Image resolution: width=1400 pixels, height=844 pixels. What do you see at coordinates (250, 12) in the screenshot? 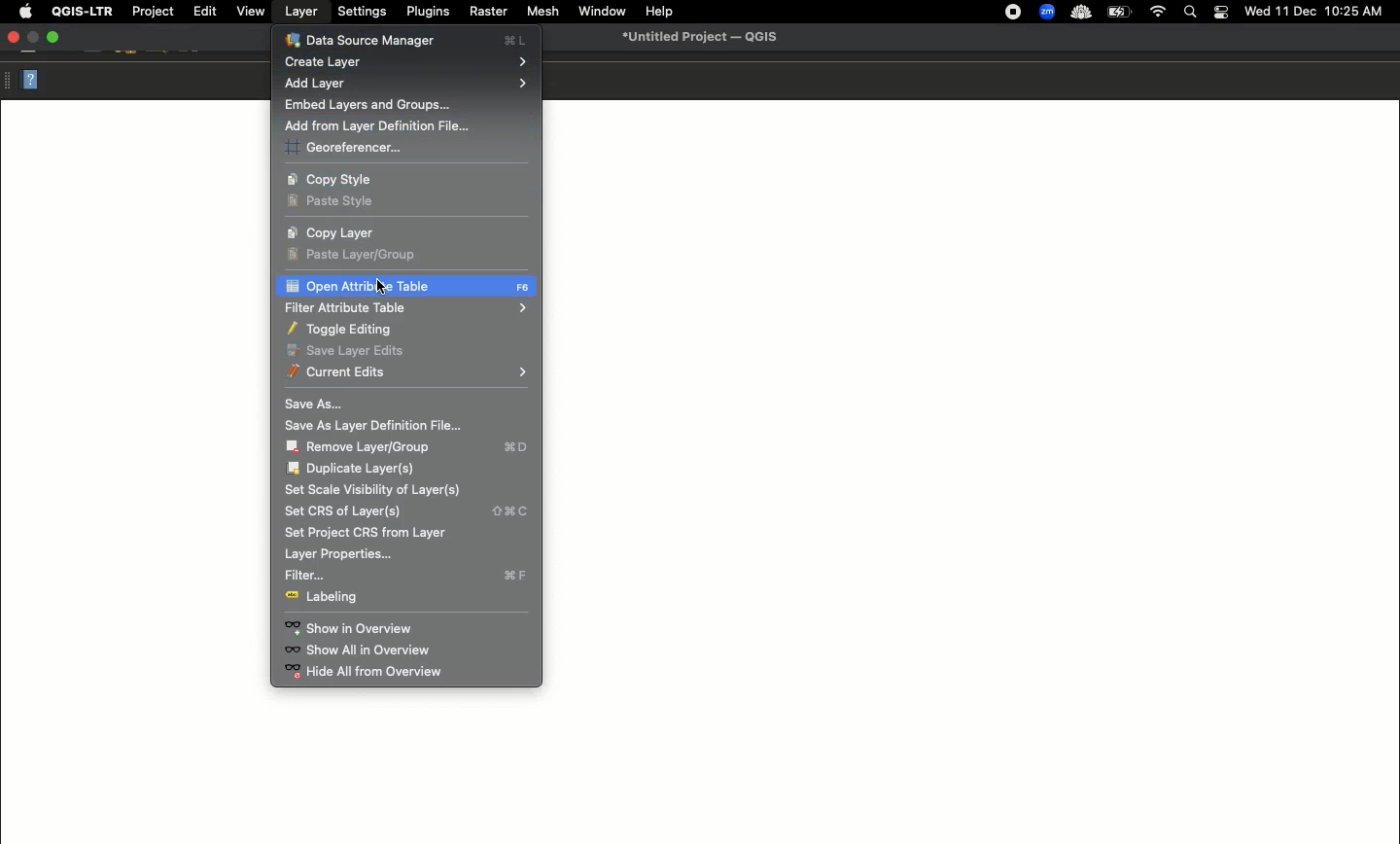
I see `View` at bounding box center [250, 12].